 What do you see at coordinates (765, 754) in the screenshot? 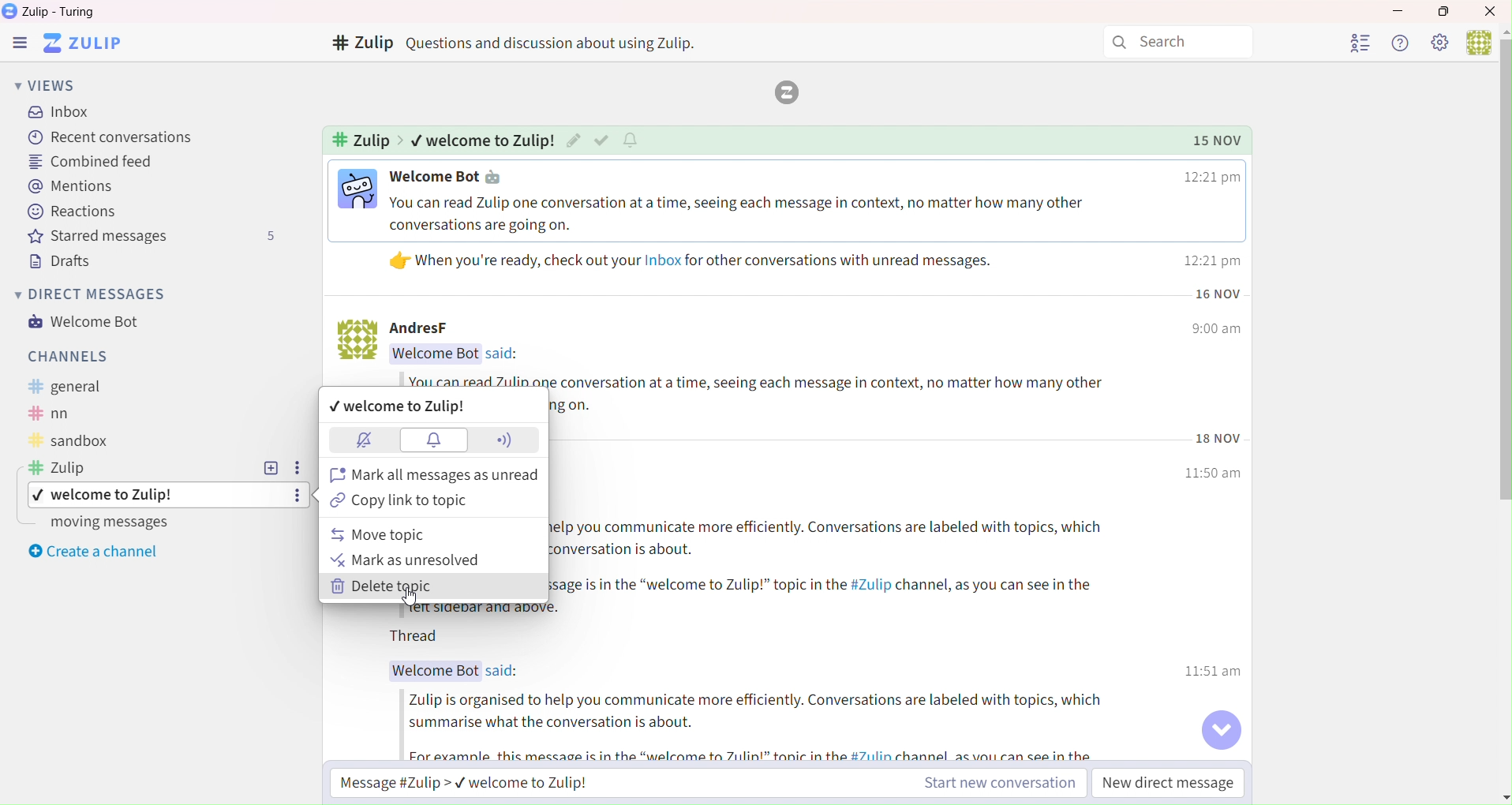
I see `Text` at bounding box center [765, 754].